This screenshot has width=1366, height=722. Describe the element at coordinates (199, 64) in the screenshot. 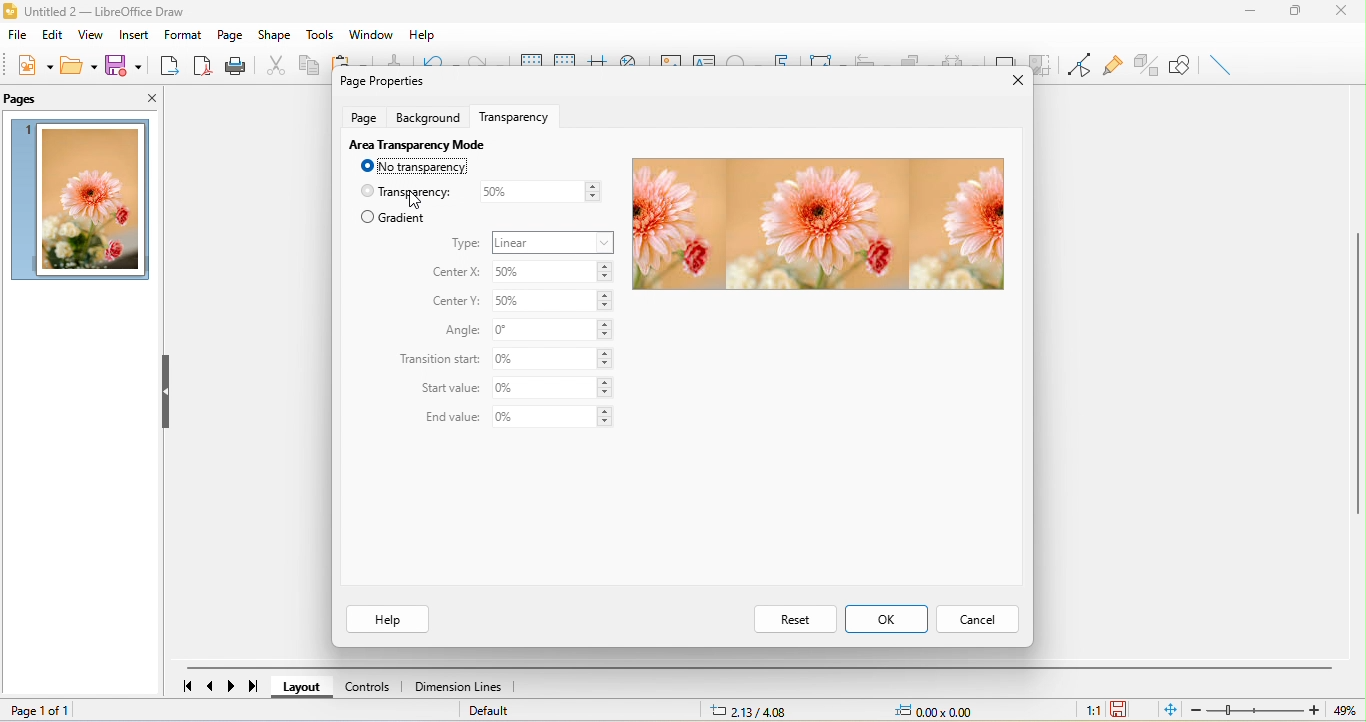

I see `export directly as pdf` at that location.